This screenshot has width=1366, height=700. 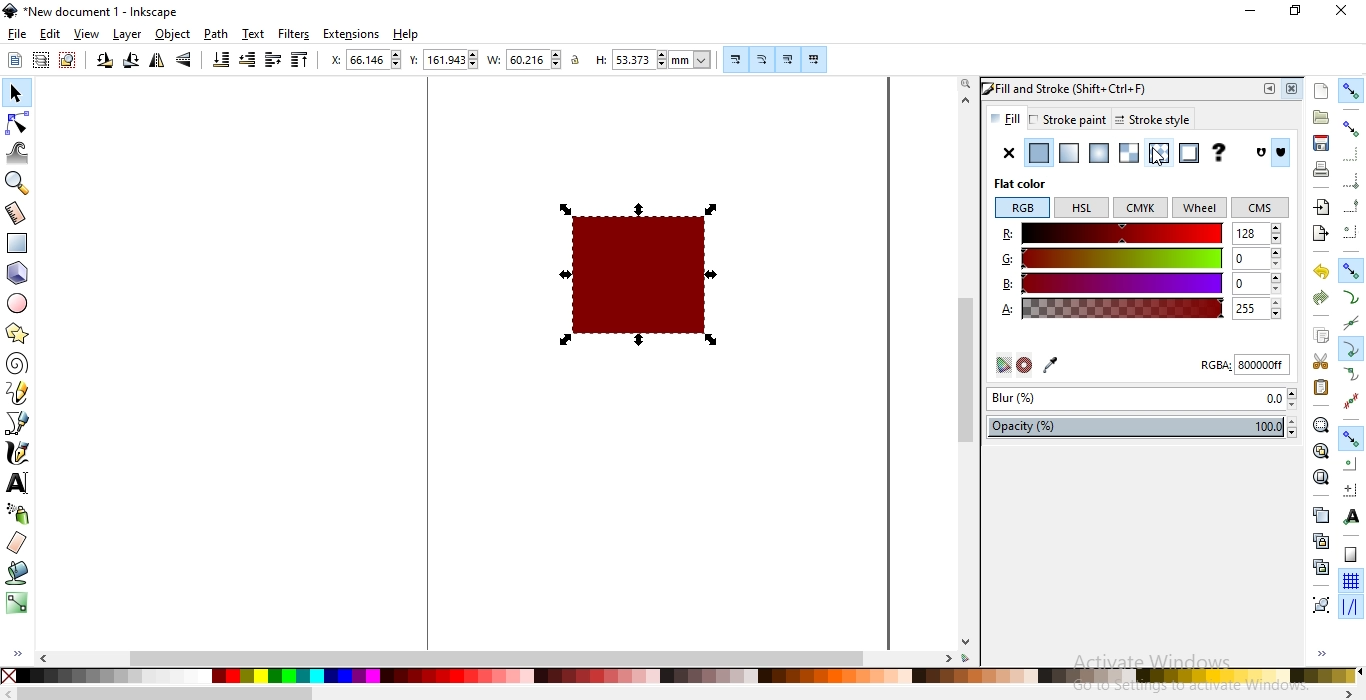 What do you see at coordinates (814, 60) in the screenshot?
I see `move patterns along with objects` at bounding box center [814, 60].